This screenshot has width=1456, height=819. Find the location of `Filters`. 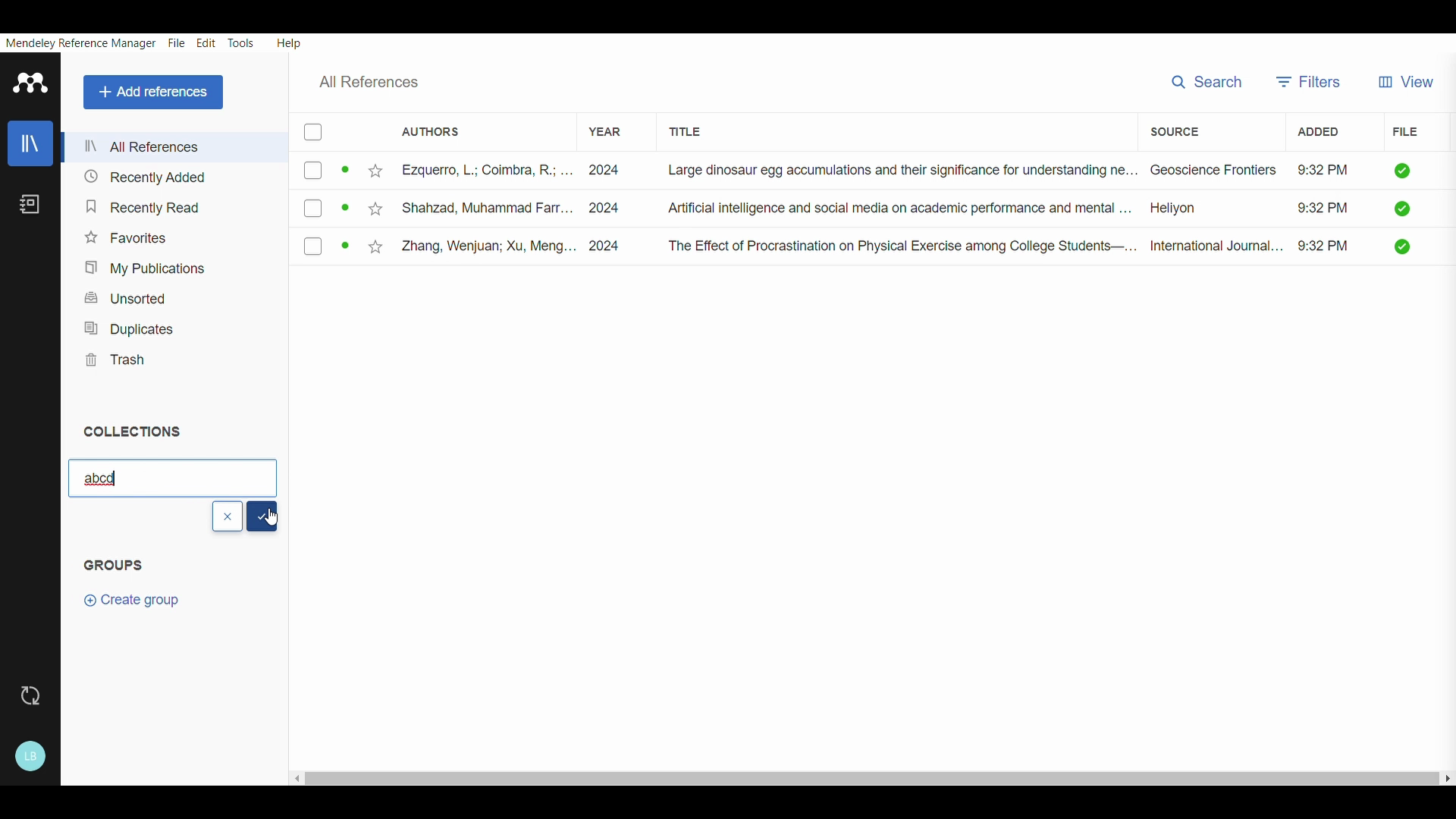

Filters is located at coordinates (1310, 78).